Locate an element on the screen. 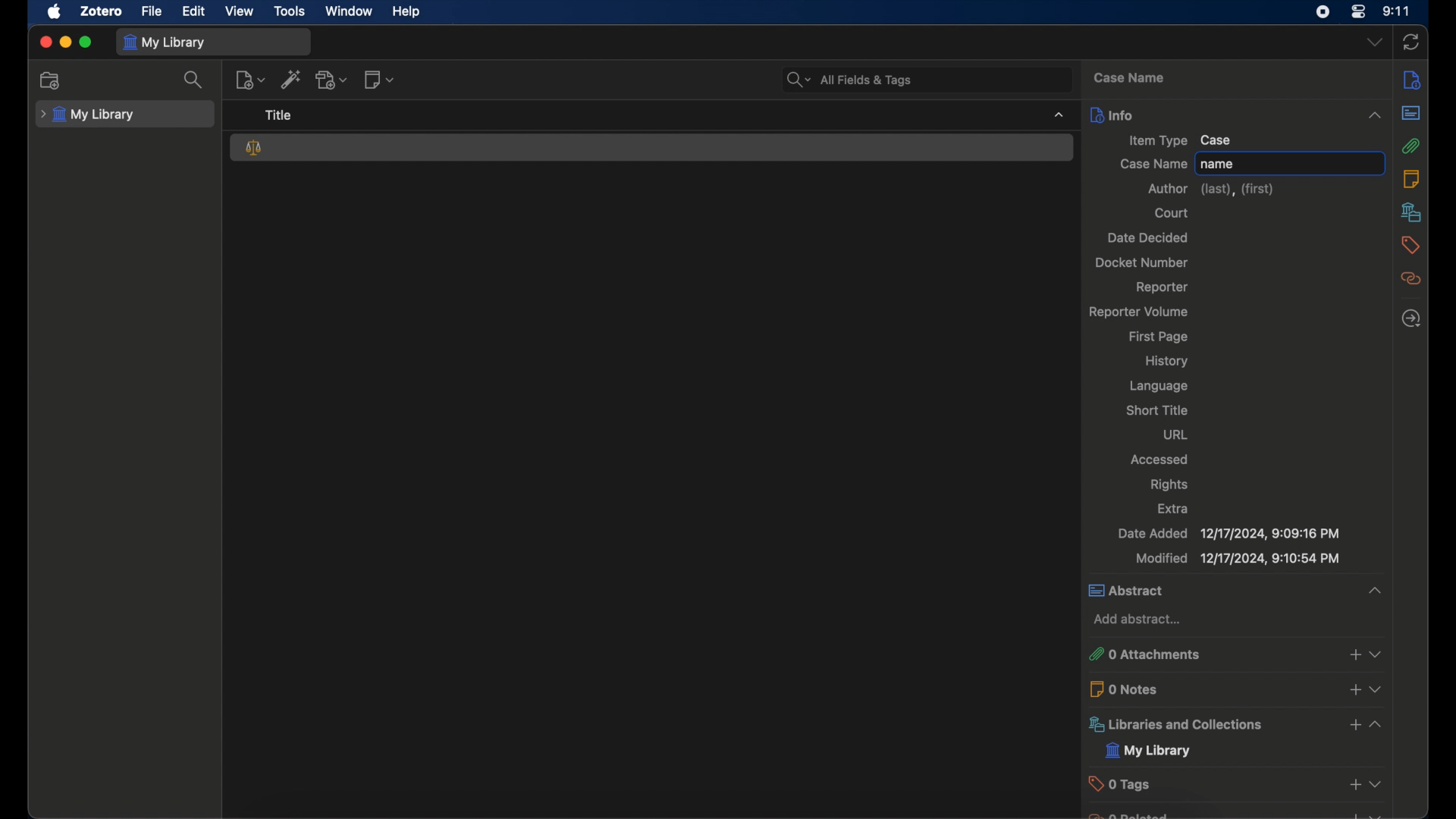 Image resolution: width=1456 pixels, height=819 pixels. minimize is located at coordinates (65, 42).